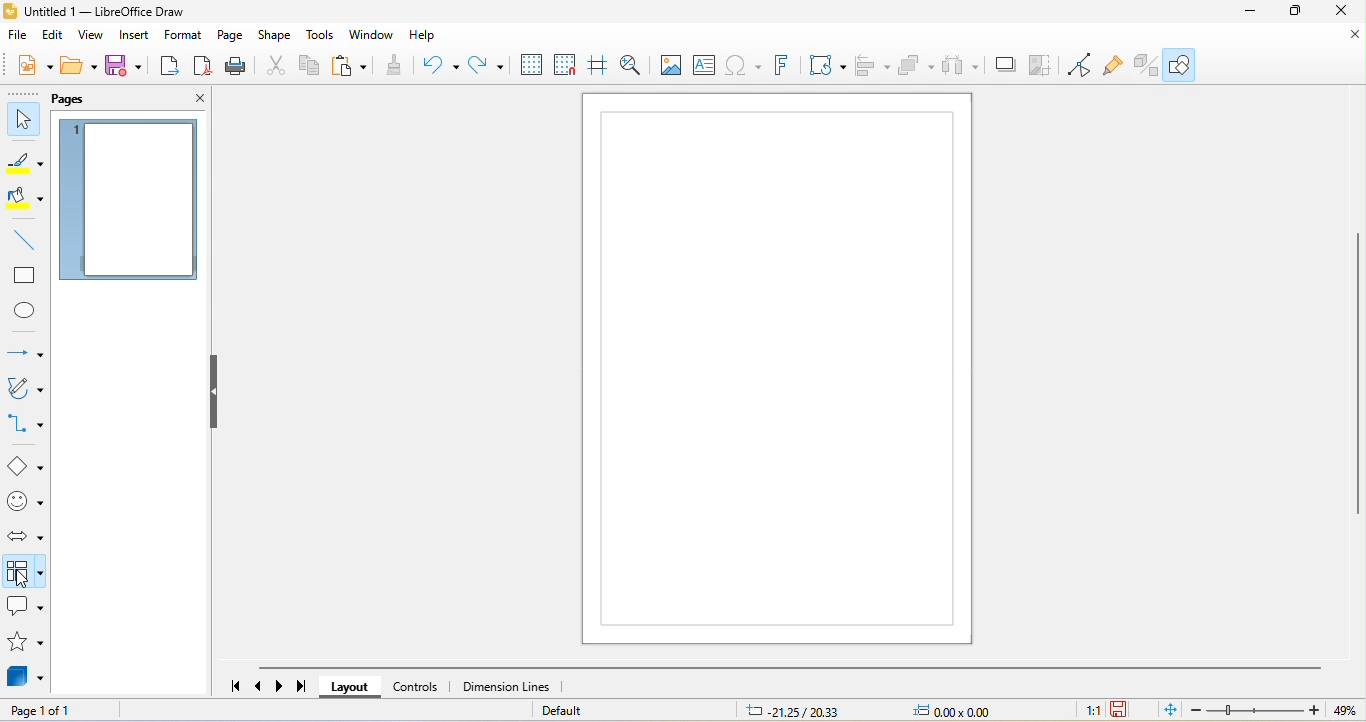  Describe the element at coordinates (231, 35) in the screenshot. I see `page` at that location.